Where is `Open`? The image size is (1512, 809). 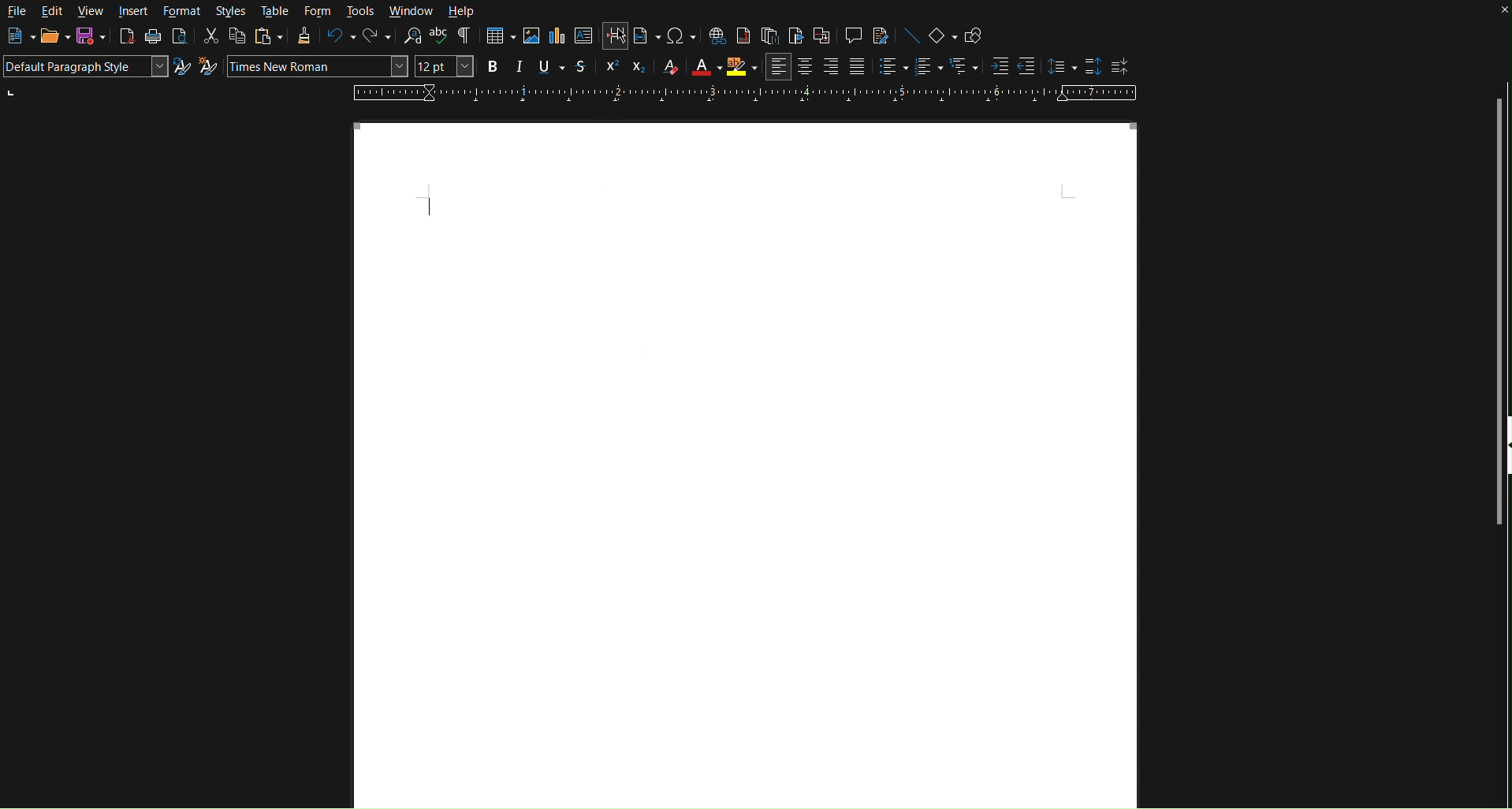
Open is located at coordinates (49, 35).